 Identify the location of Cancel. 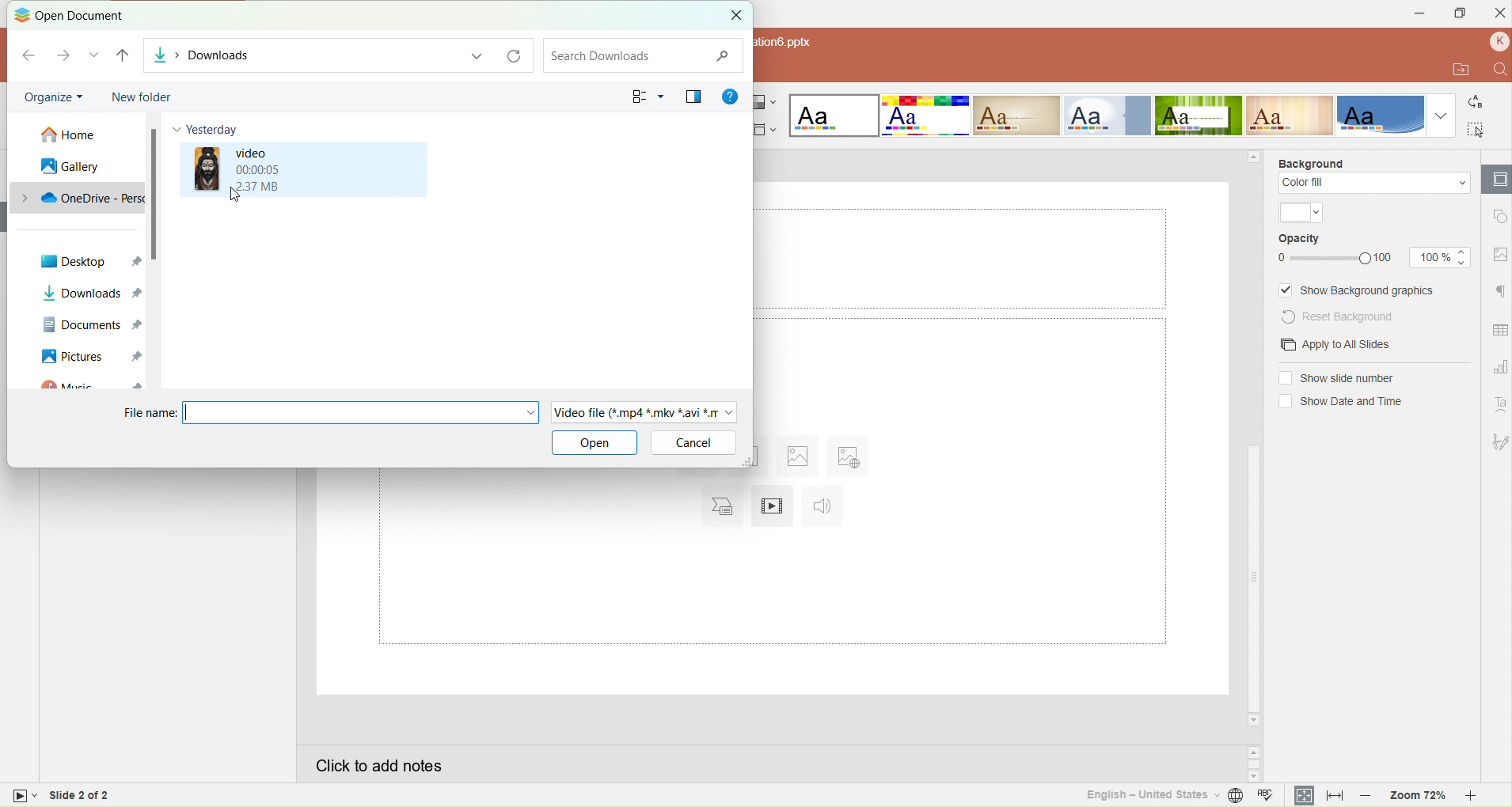
(691, 443).